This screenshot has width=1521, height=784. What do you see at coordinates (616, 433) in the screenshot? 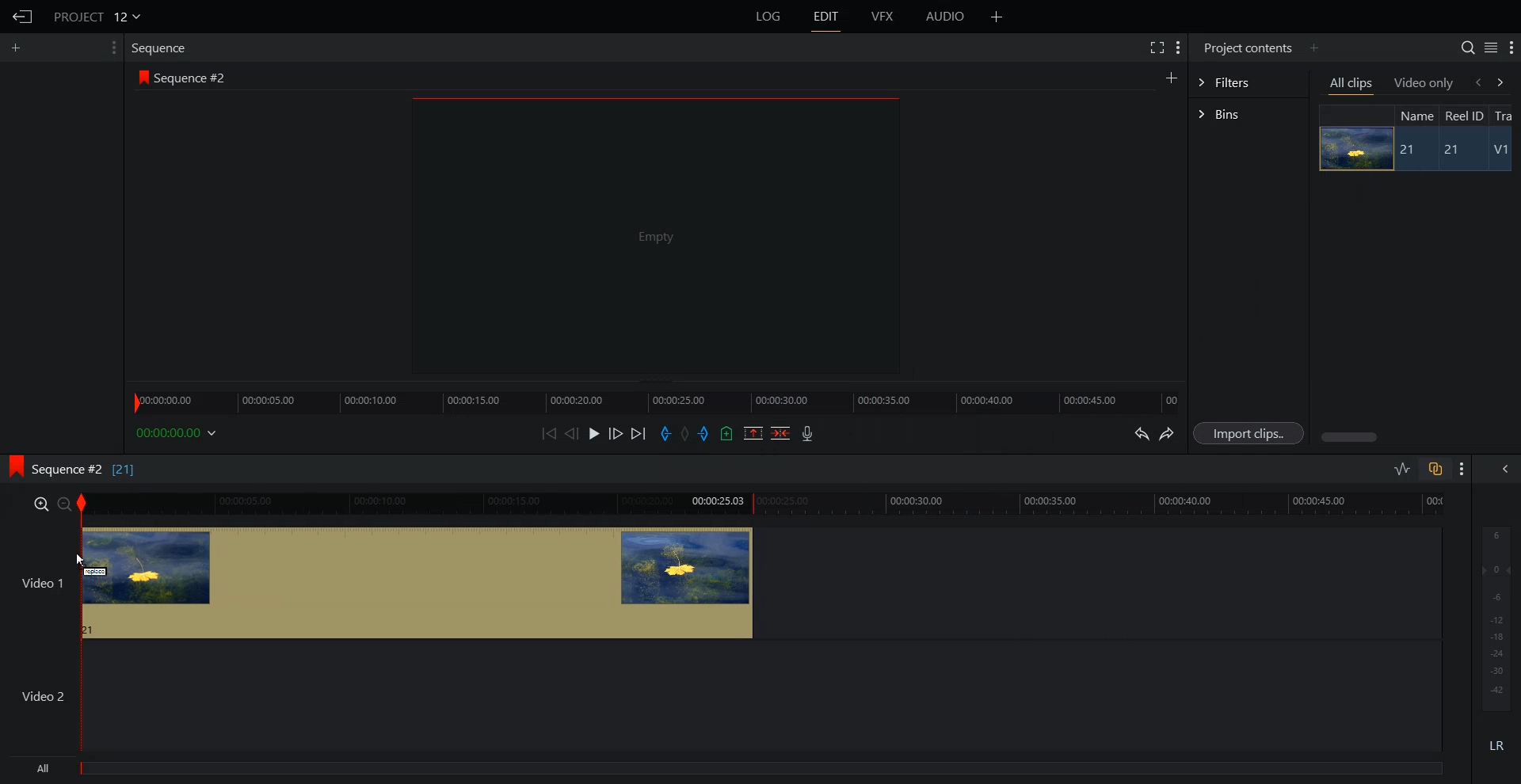
I see `Nurse one frame forward` at bounding box center [616, 433].